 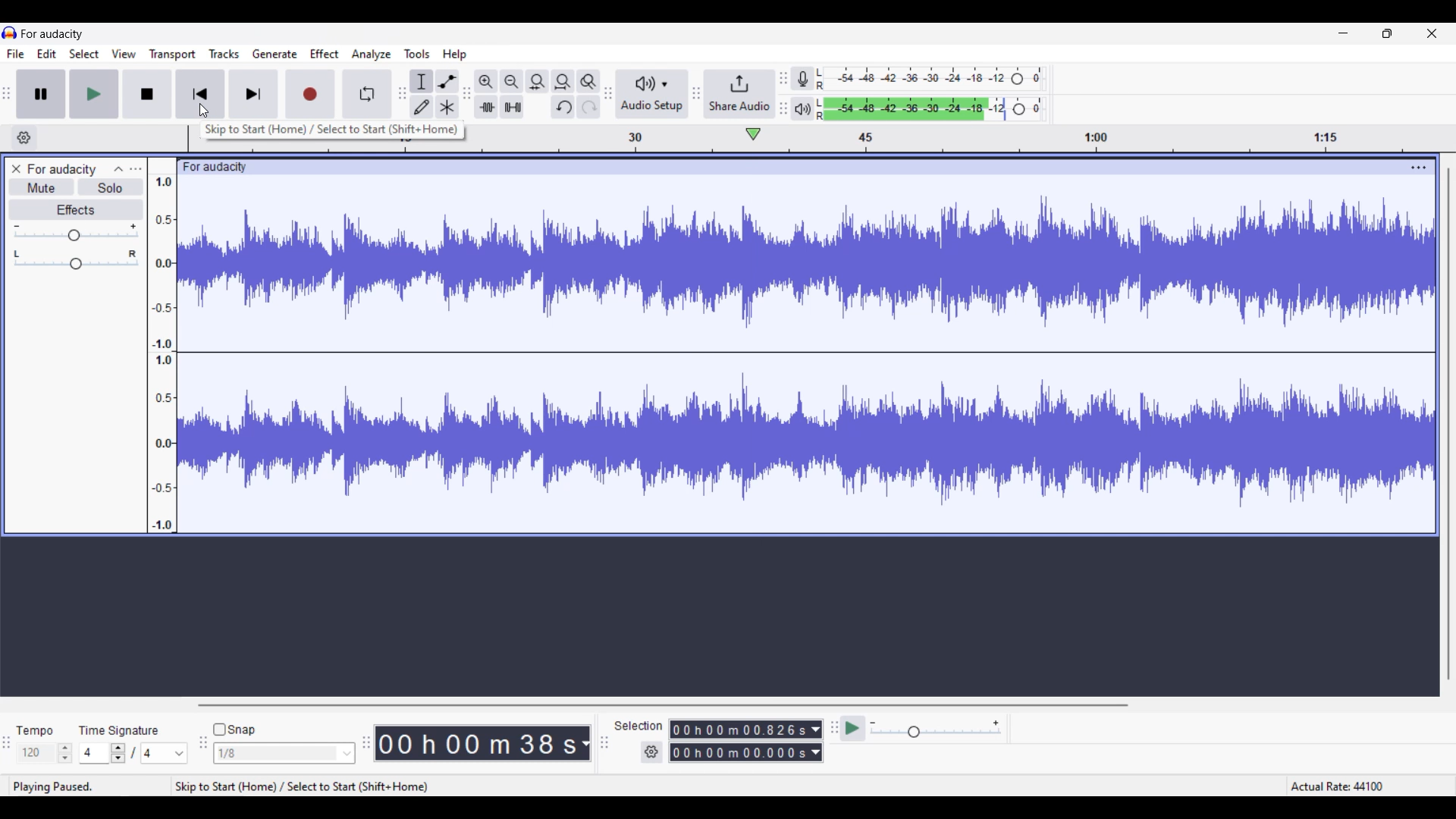 I want to click on Duration measurement, so click(x=585, y=743).